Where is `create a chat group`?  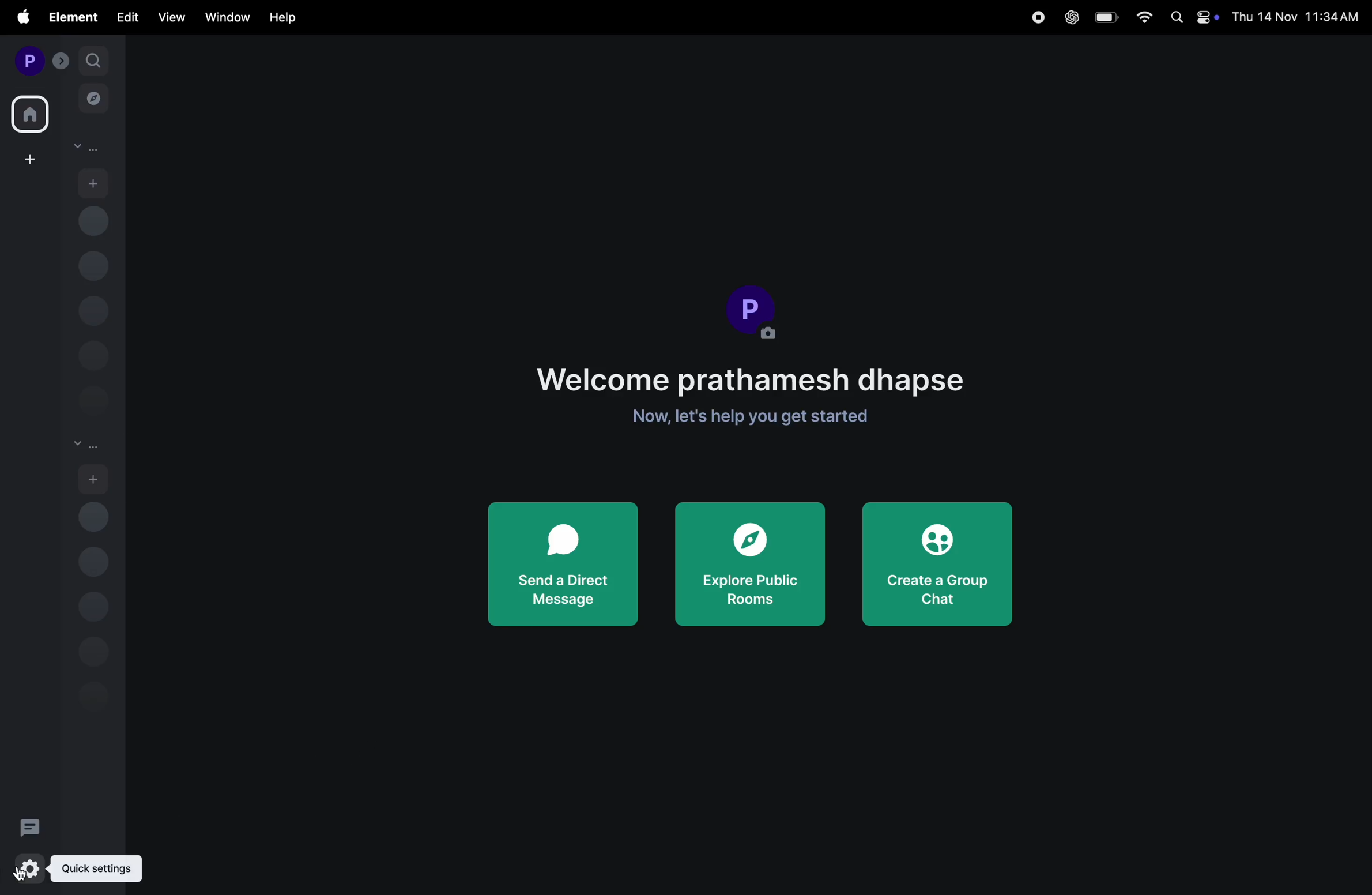
create a chat group is located at coordinates (942, 569).